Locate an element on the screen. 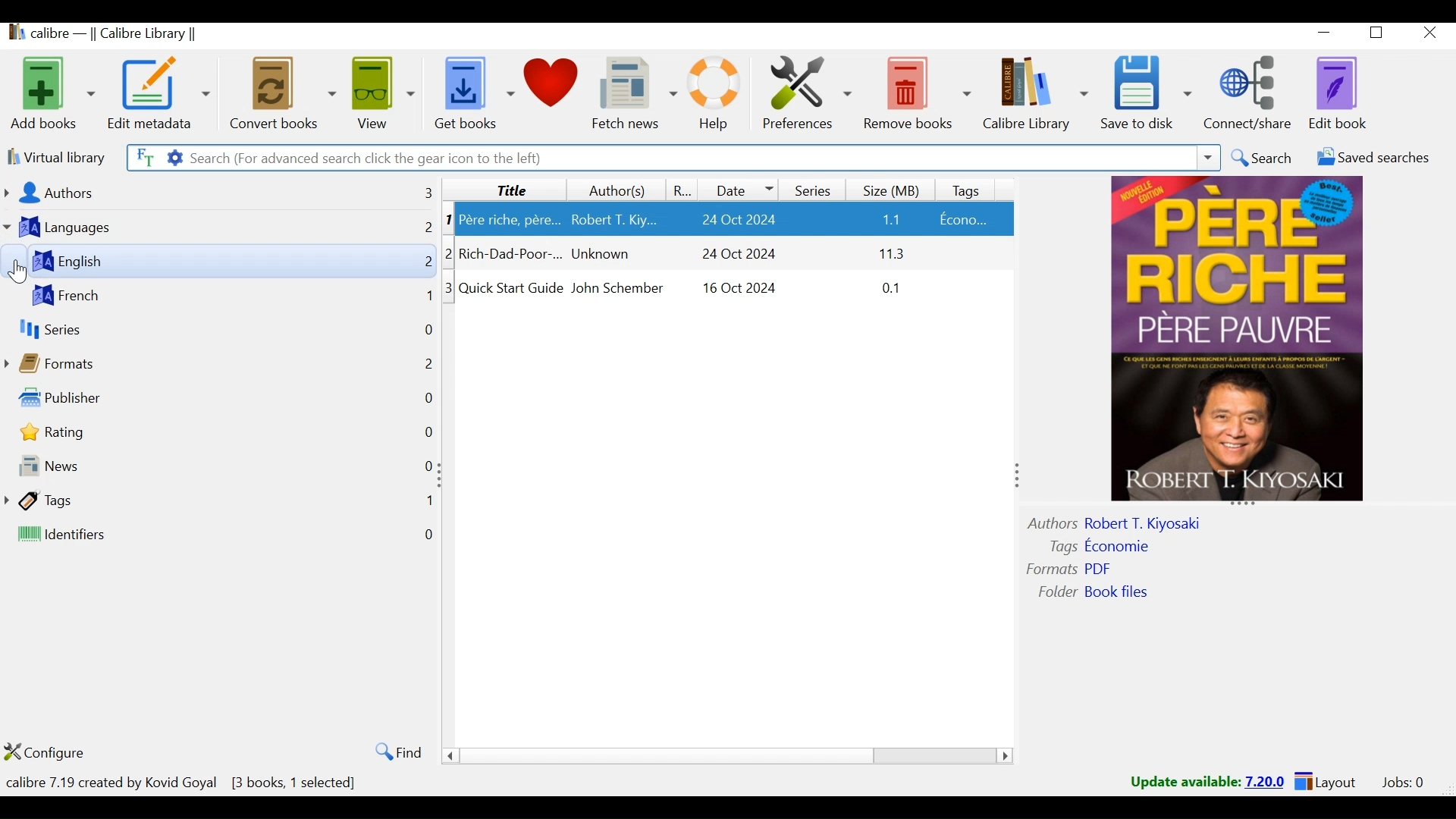 The height and width of the screenshot is (819, 1456). 0: is located at coordinates (425, 467).